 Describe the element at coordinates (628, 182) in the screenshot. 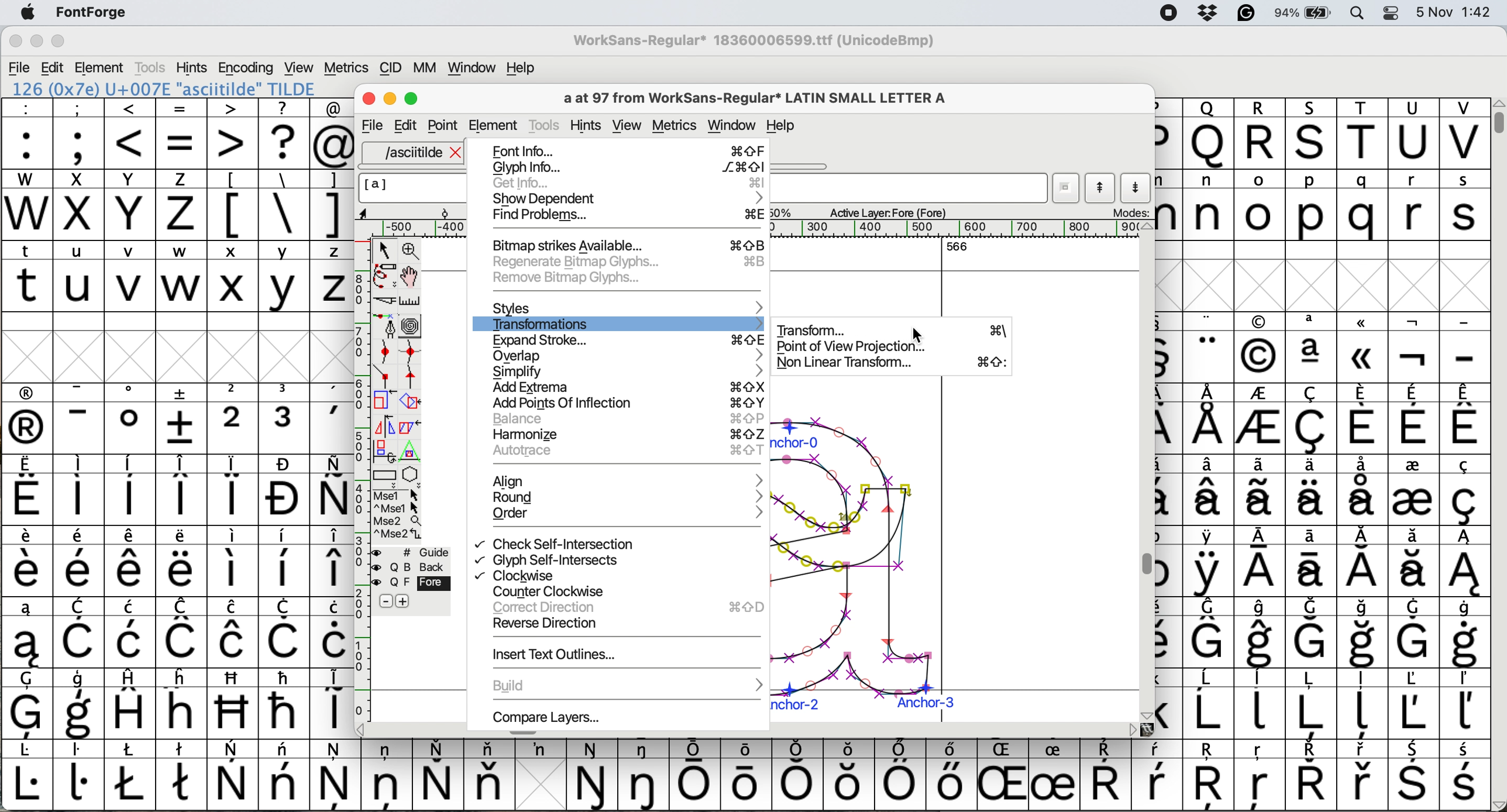

I see `get info` at that location.